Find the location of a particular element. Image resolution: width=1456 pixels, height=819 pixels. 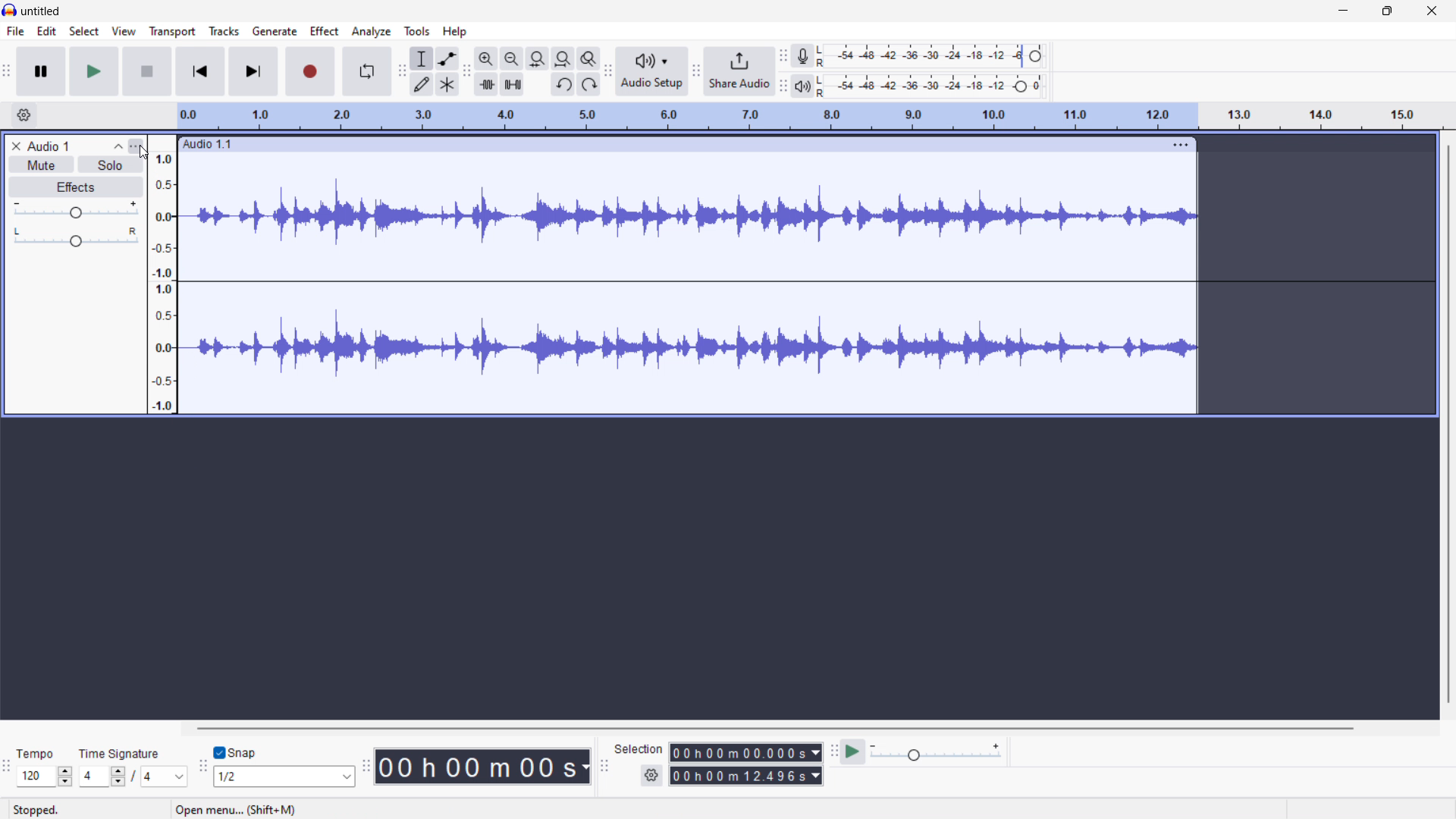

Selection is located at coordinates (639, 748).